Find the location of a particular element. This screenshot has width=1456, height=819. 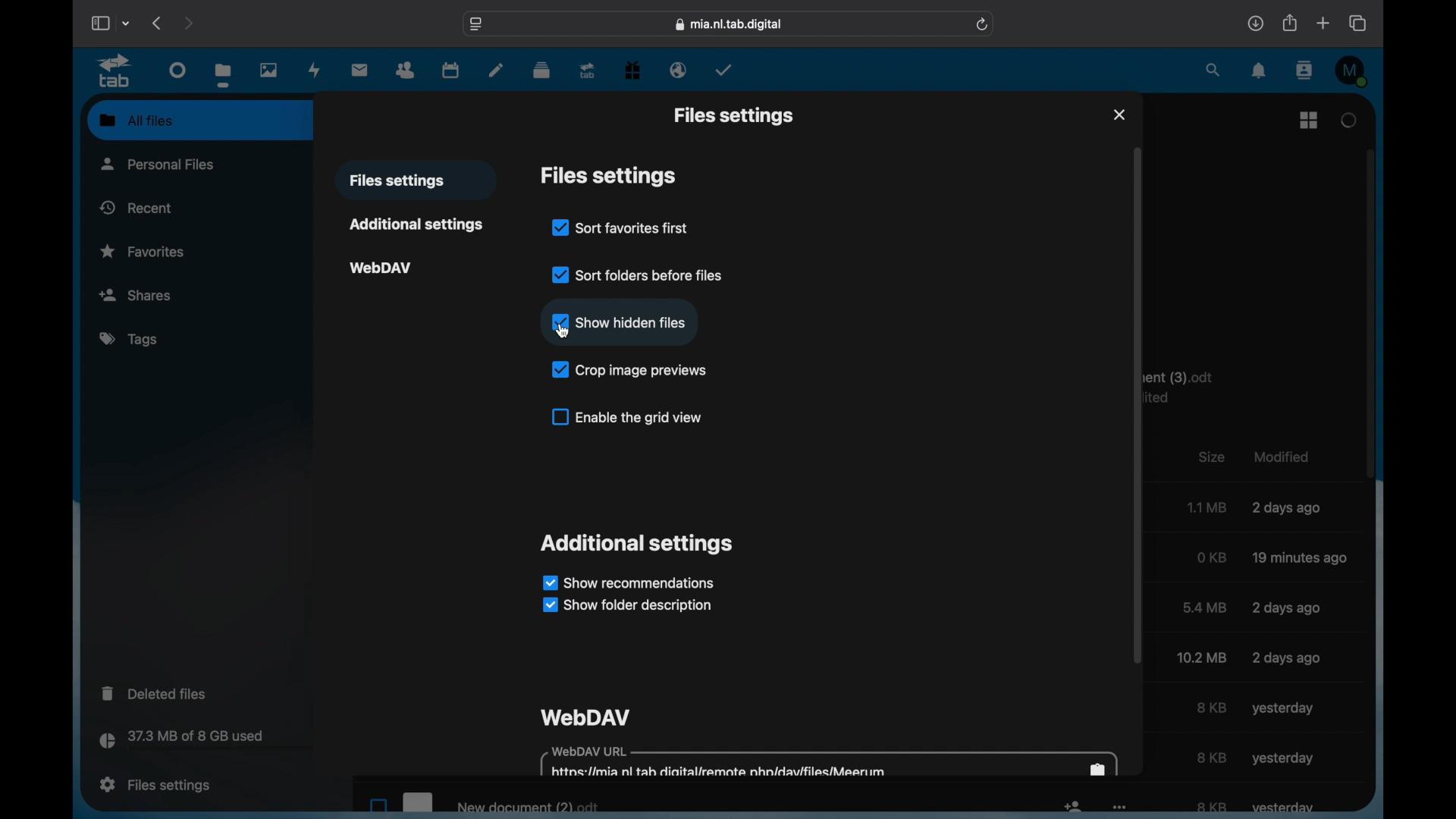

files settings is located at coordinates (397, 181).